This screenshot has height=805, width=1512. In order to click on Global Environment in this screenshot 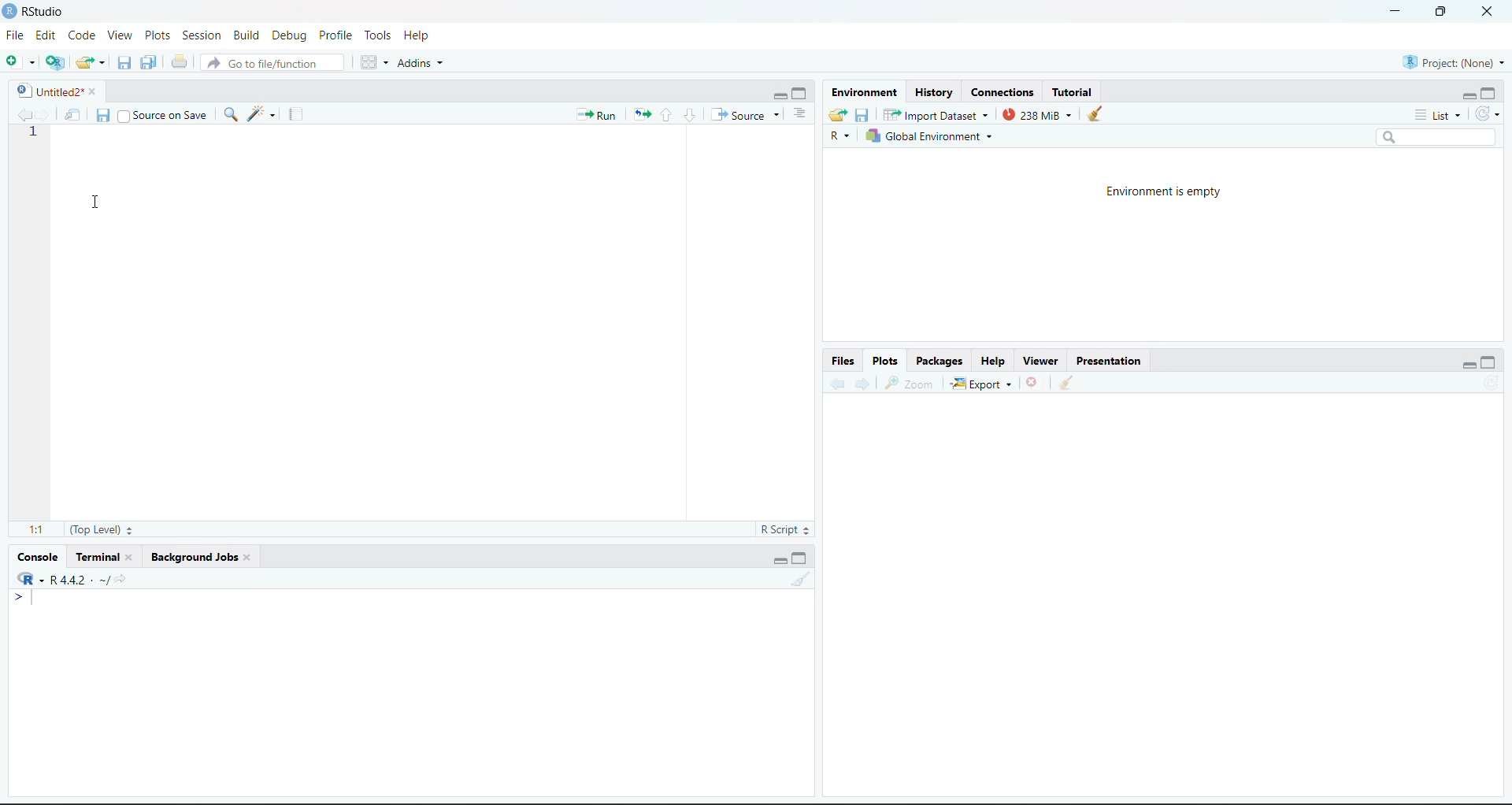, I will do `click(928, 135)`.